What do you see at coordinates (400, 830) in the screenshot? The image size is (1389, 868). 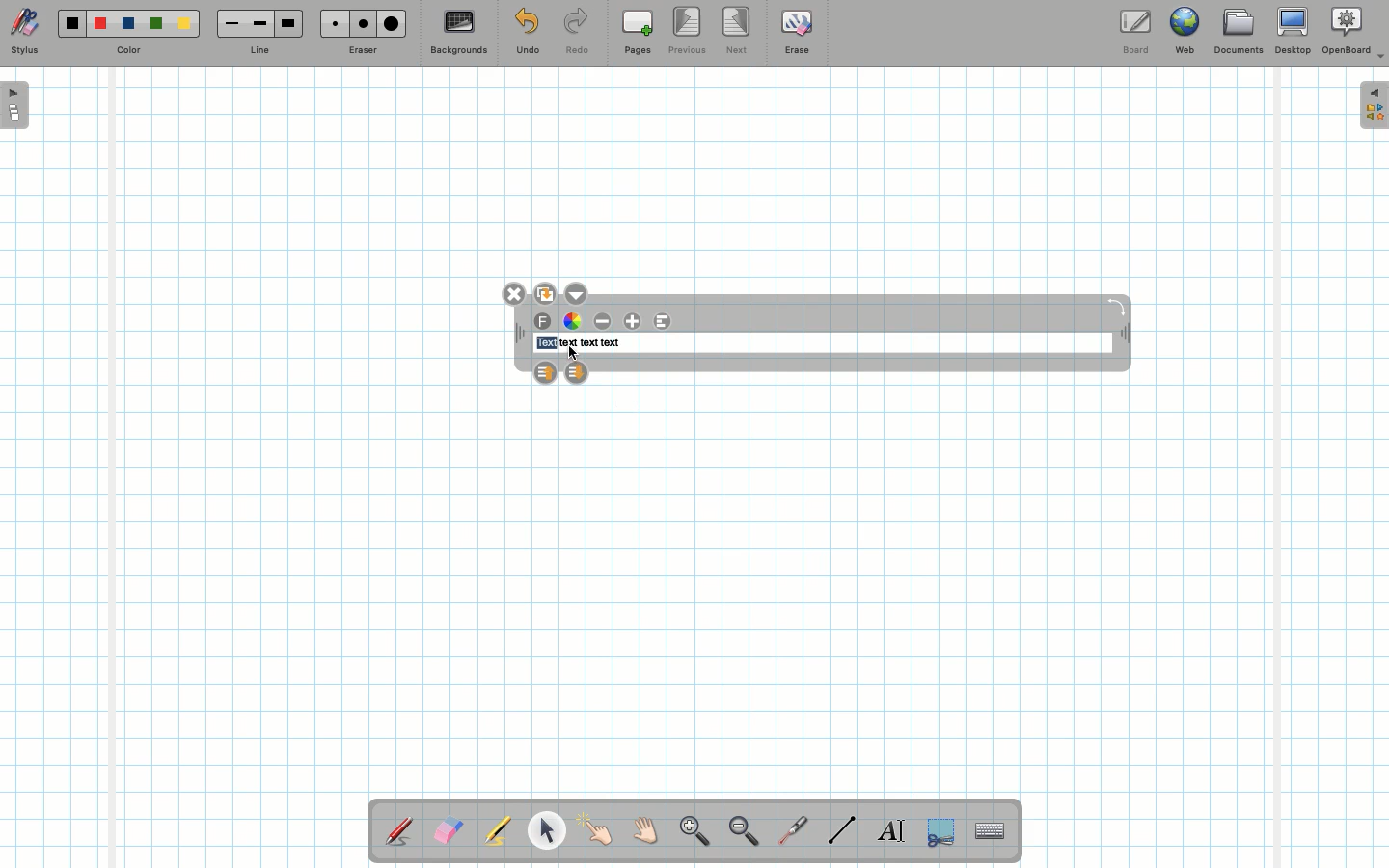 I see `Stylus` at bounding box center [400, 830].